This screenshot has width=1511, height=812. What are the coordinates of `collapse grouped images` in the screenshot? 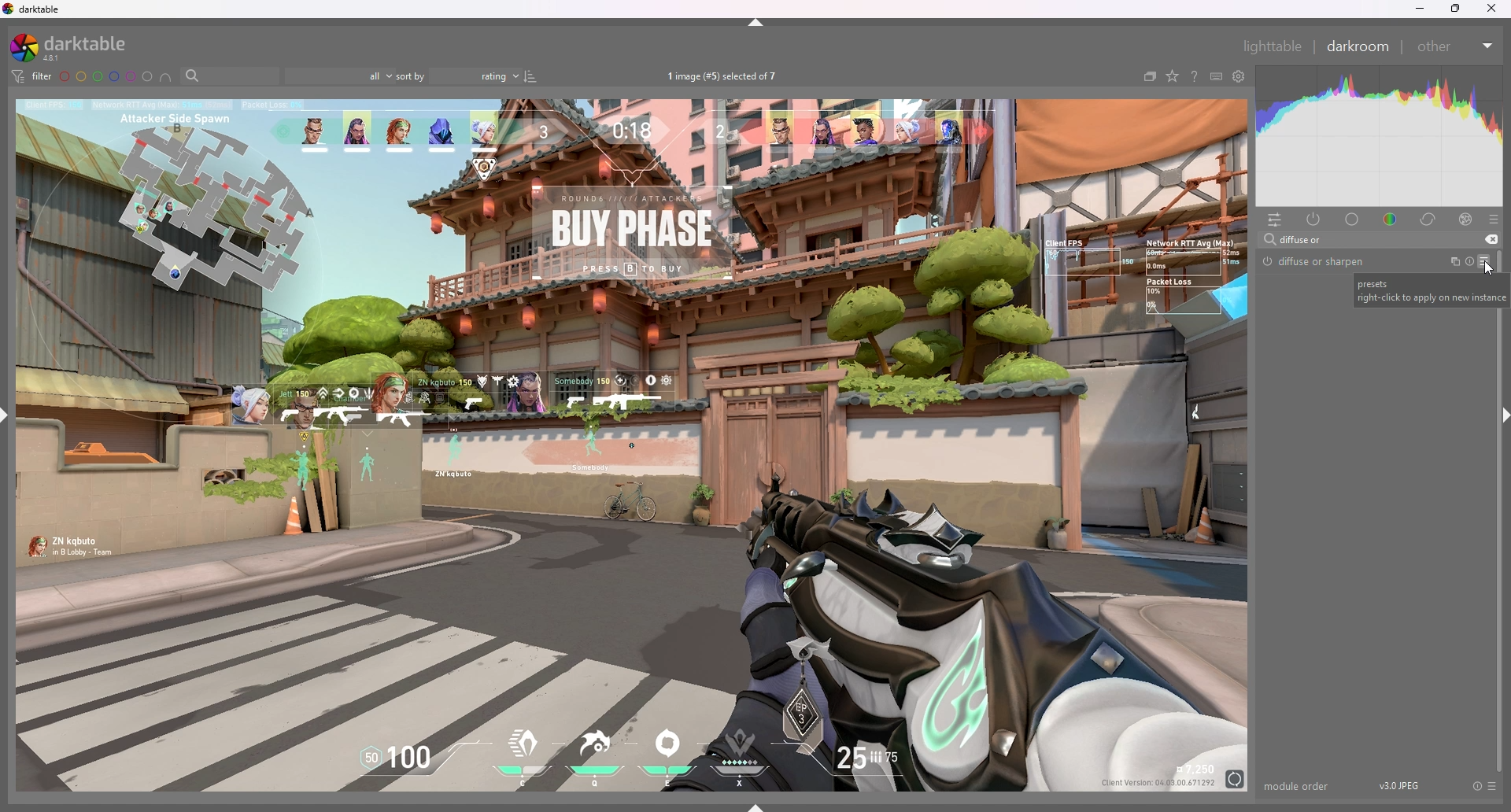 It's located at (1150, 76).